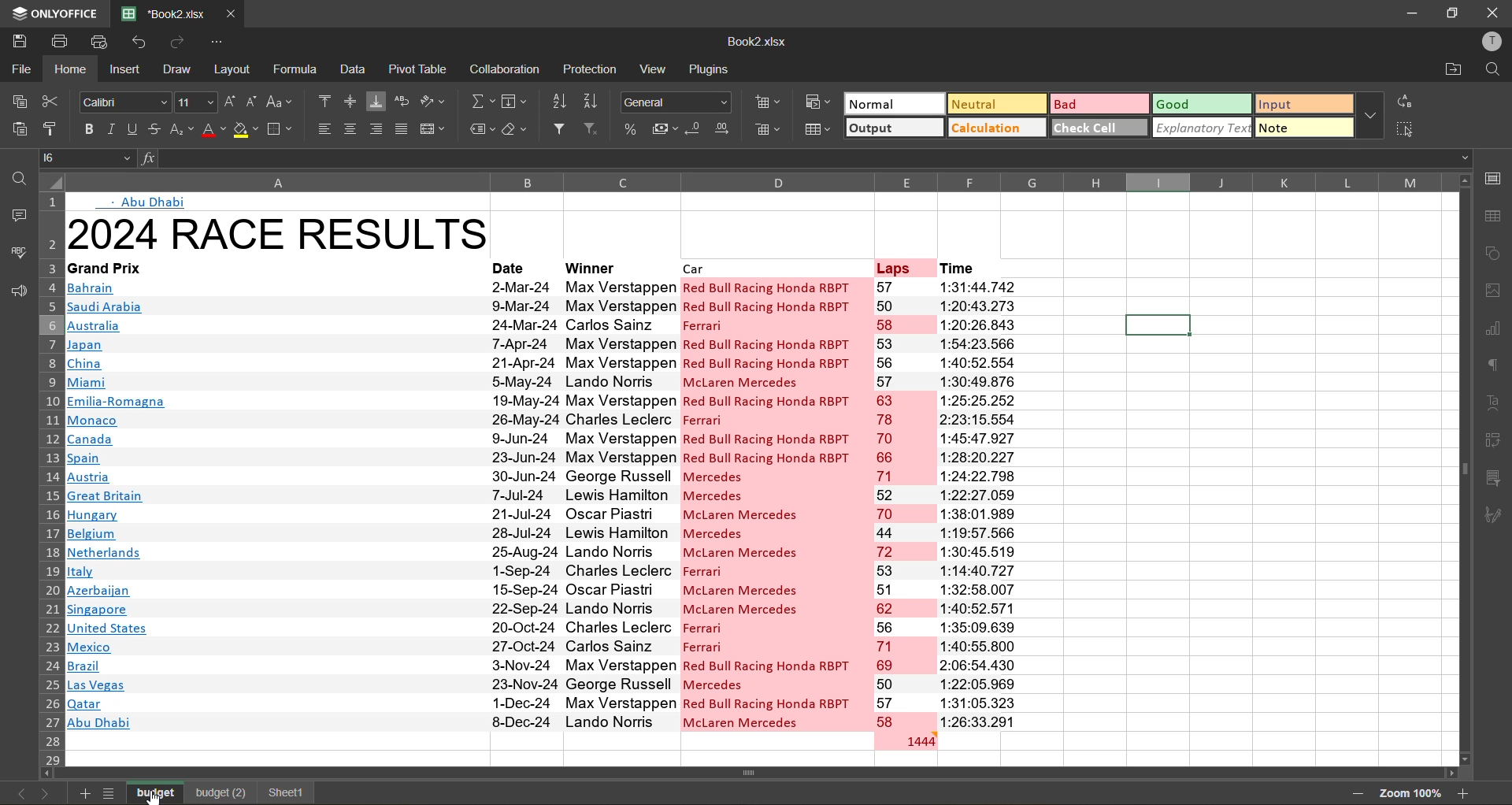 The height and width of the screenshot is (805, 1512). I want to click on conditional formatting, so click(817, 101).